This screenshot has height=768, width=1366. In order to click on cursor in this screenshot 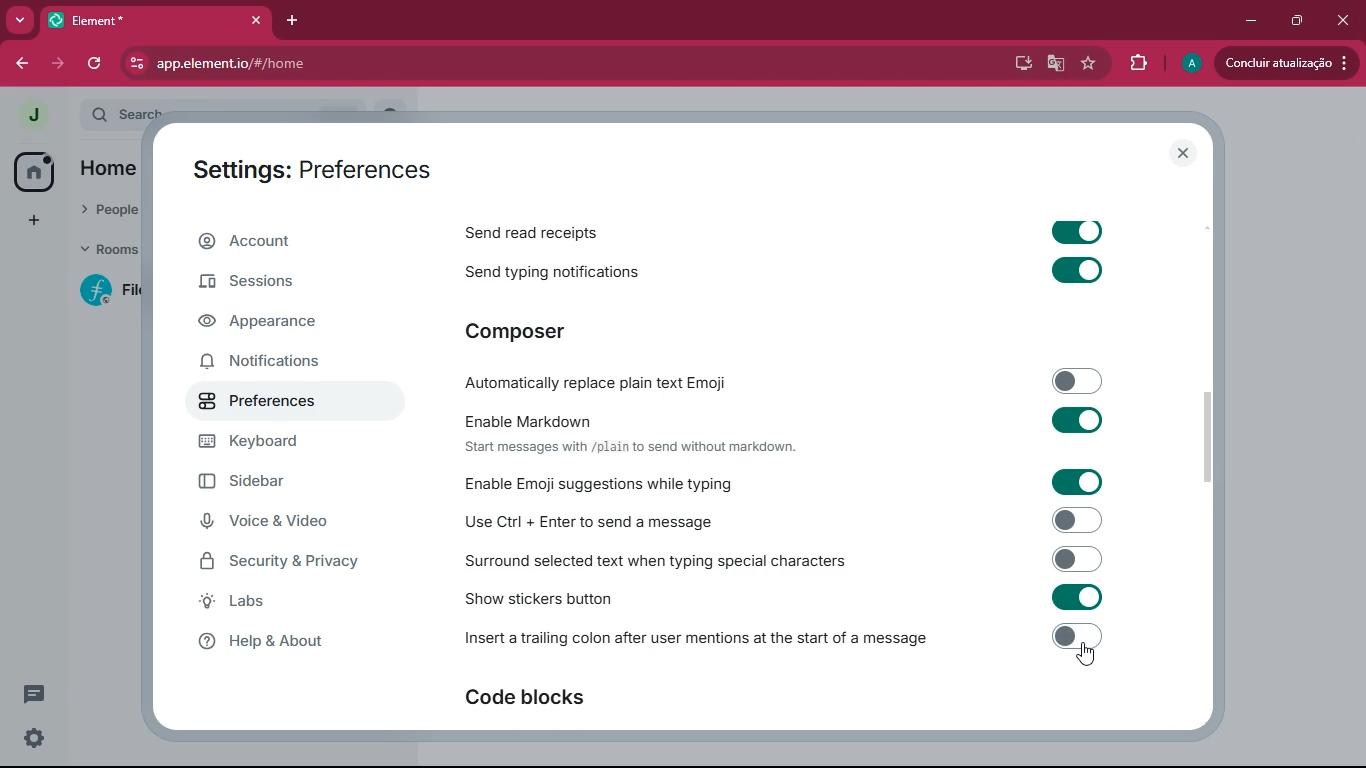, I will do `click(1090, 656)`.